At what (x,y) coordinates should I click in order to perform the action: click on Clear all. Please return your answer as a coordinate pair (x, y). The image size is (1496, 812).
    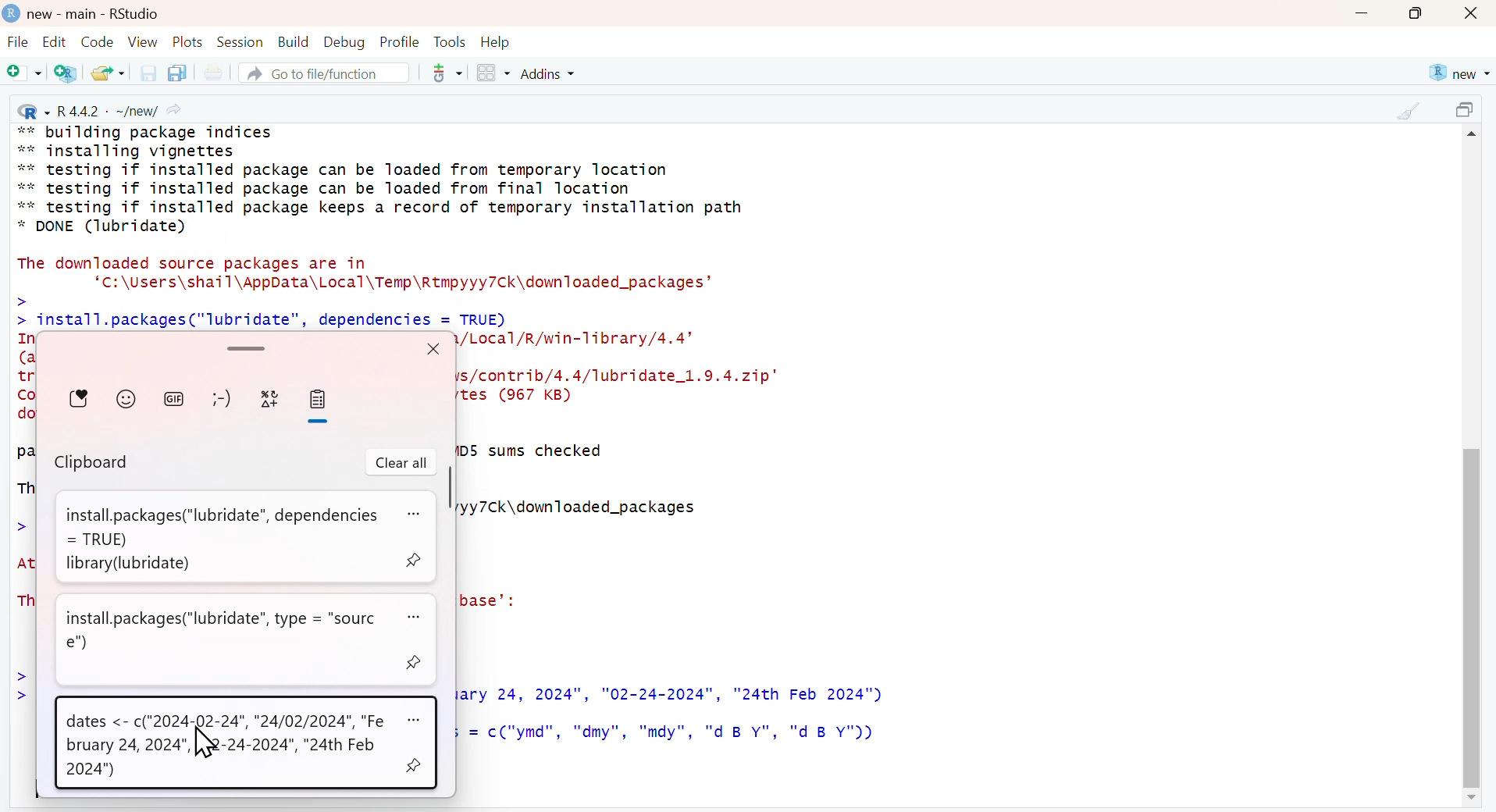
    Looking at the image, I should click on (401, 463).